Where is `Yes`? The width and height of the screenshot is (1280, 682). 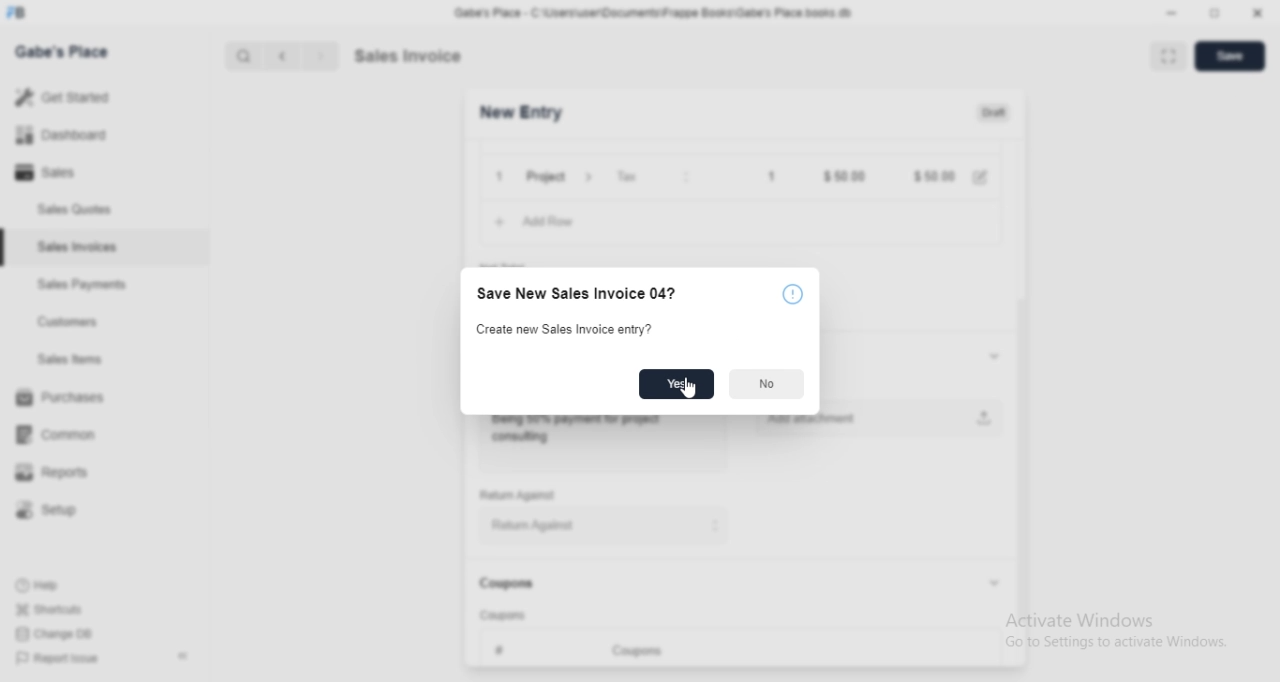 Yes is located at coordinates (677, 384).